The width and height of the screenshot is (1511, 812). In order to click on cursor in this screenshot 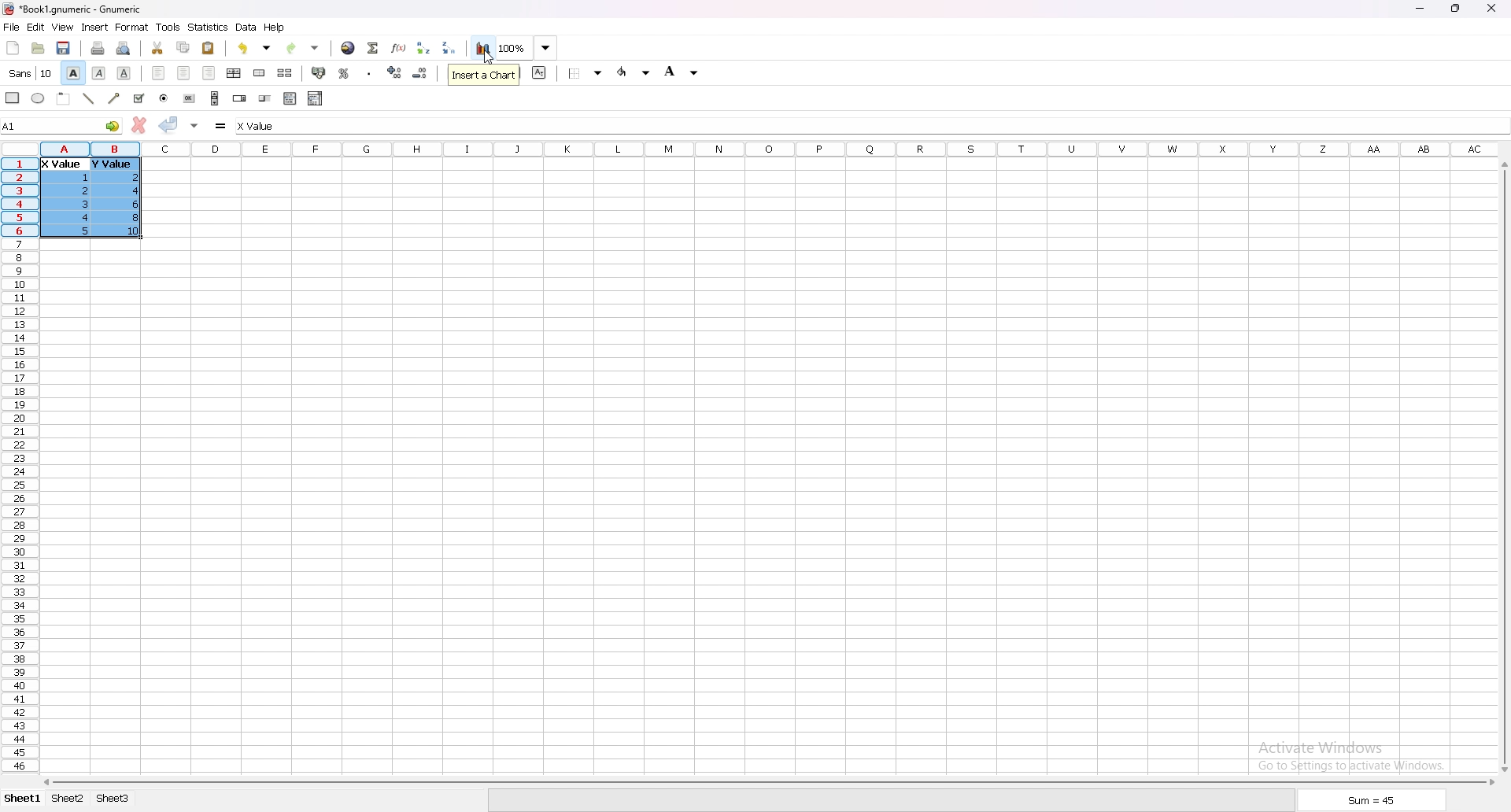, I will do `click(489, 58)`.